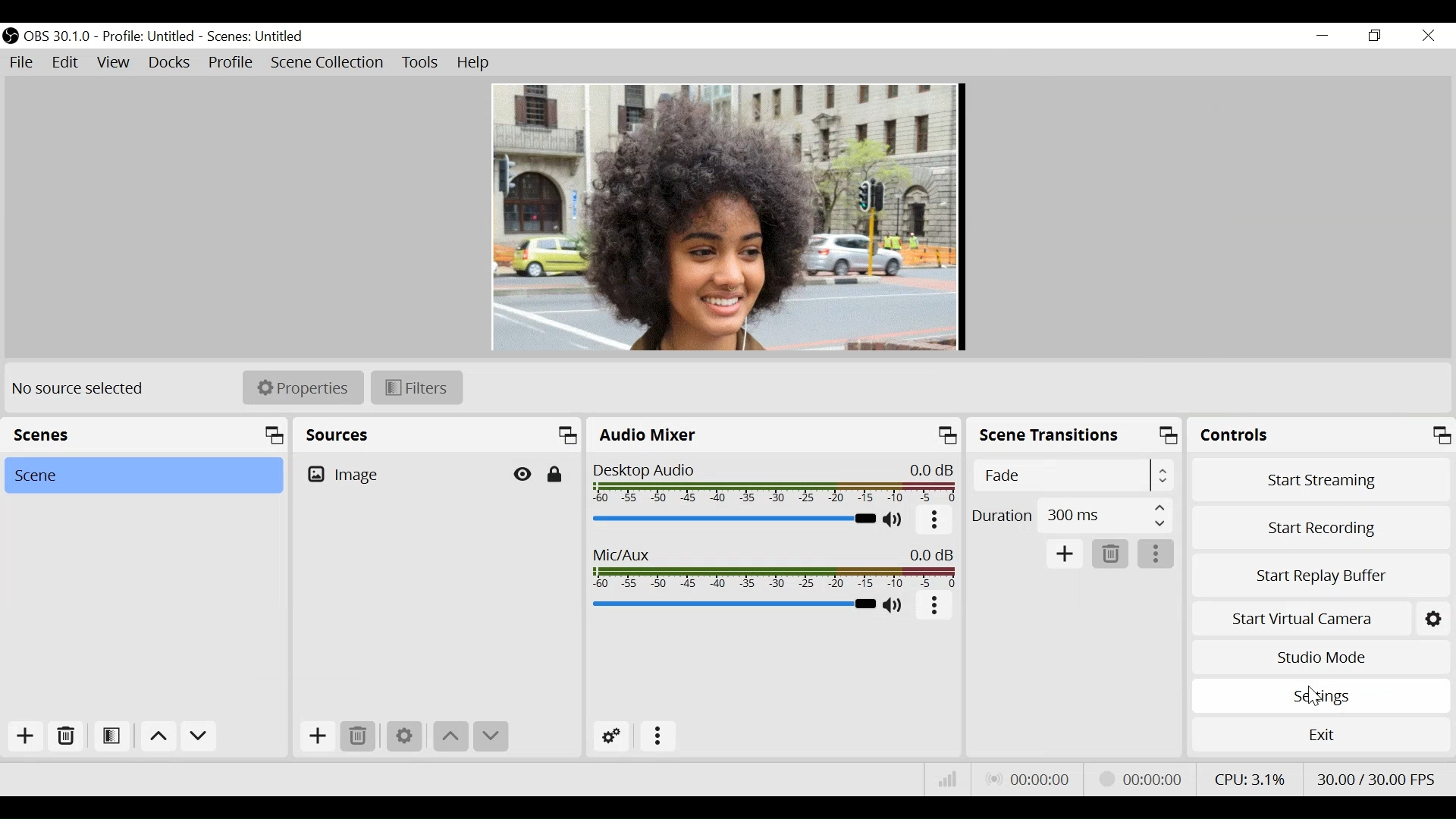 The width and height of the screenshot is (1456, 819). I want to click on Maximize, so click(559, 435).